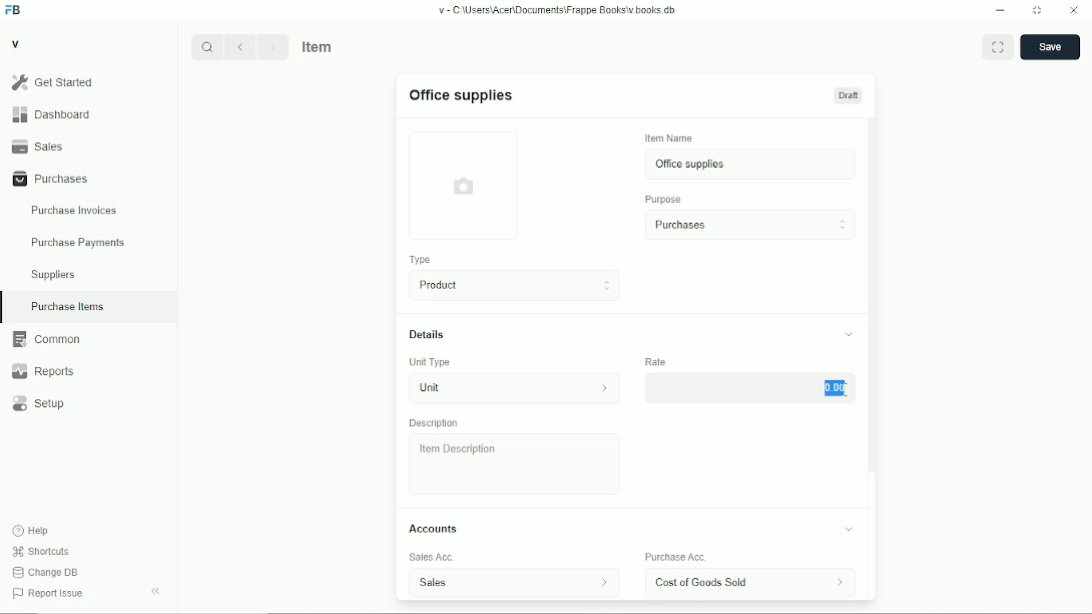 The height and width of the screenshot is (614, 1092). I want to click on toggle collapse/expand, so click(850, 334).